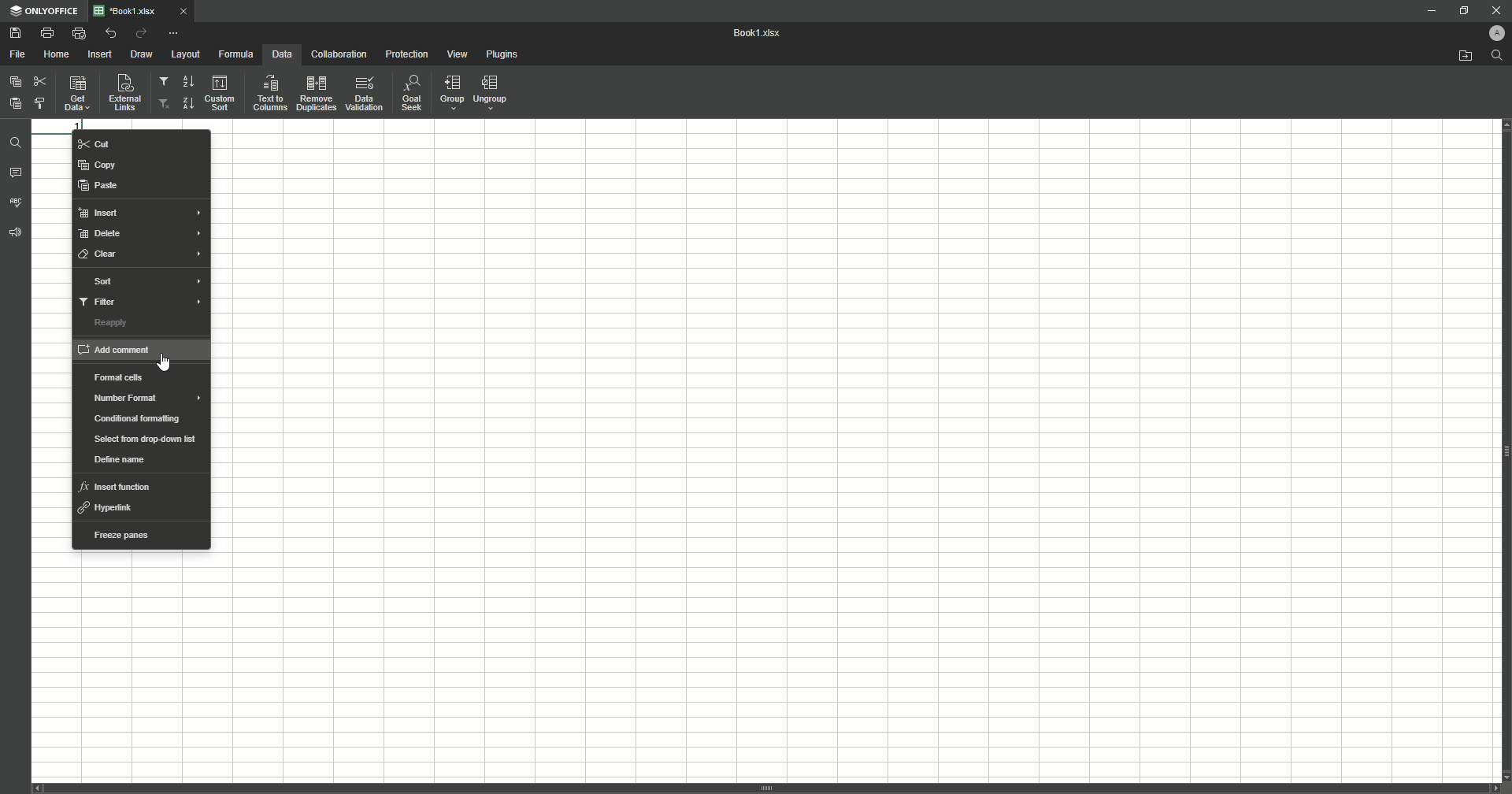 This screenshot has height=794, width=1512. Describe the element at coordinates (170, 363) in the screenshot. I see `Cursor` at that location.